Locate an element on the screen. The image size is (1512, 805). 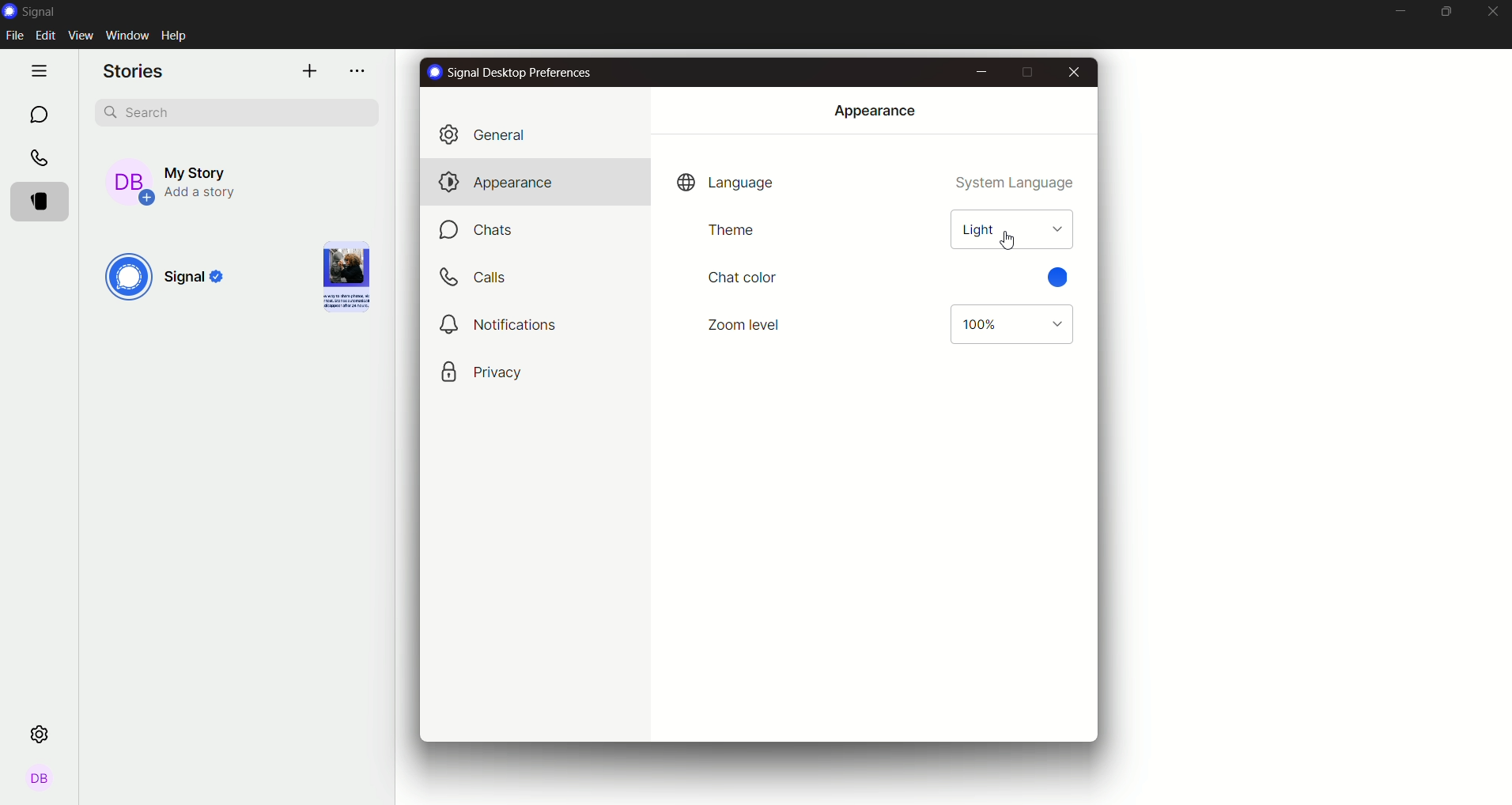
stories is located at coordinates (44, 201).